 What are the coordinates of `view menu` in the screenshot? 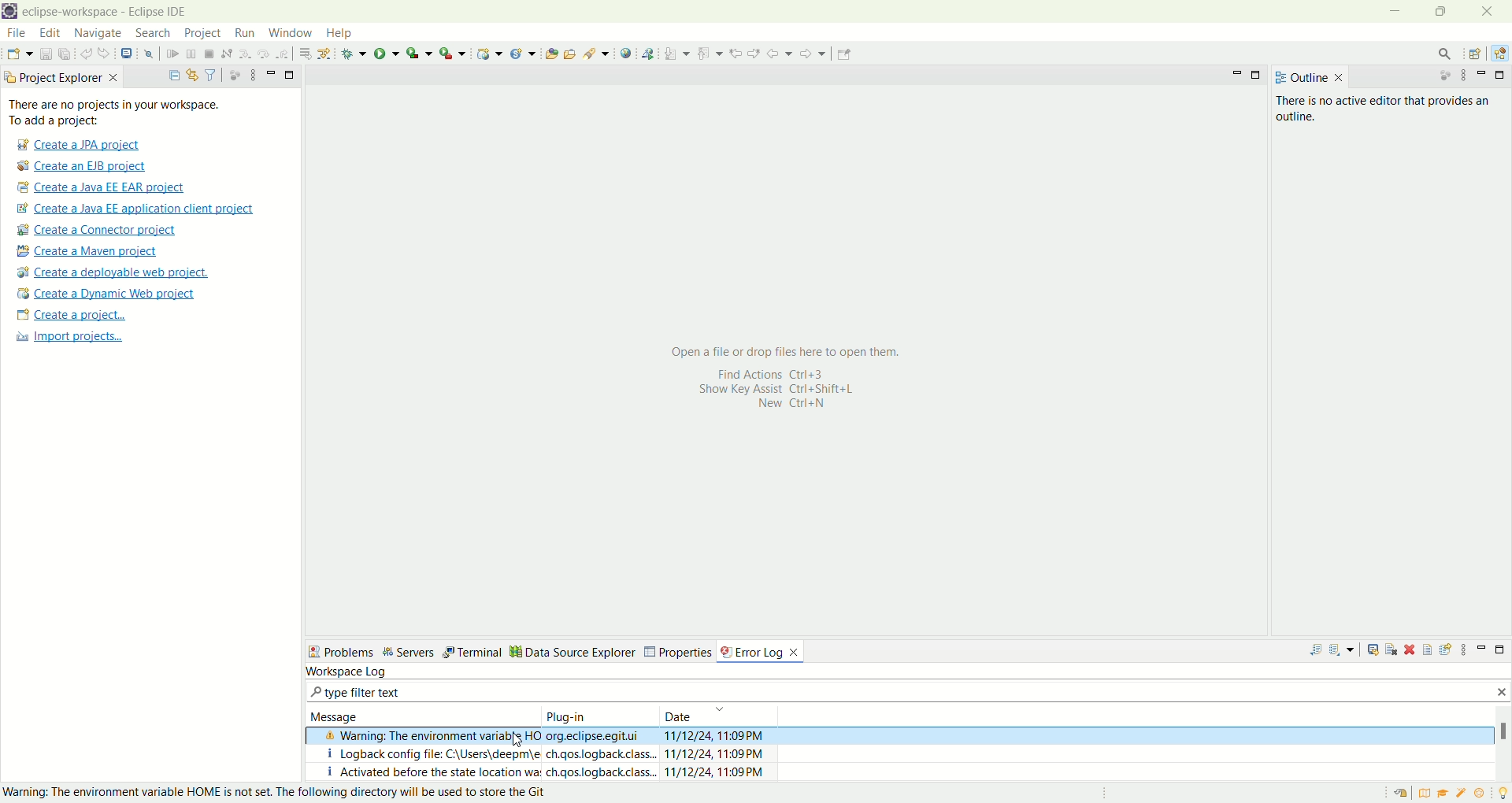 It's located at (1463, 76).